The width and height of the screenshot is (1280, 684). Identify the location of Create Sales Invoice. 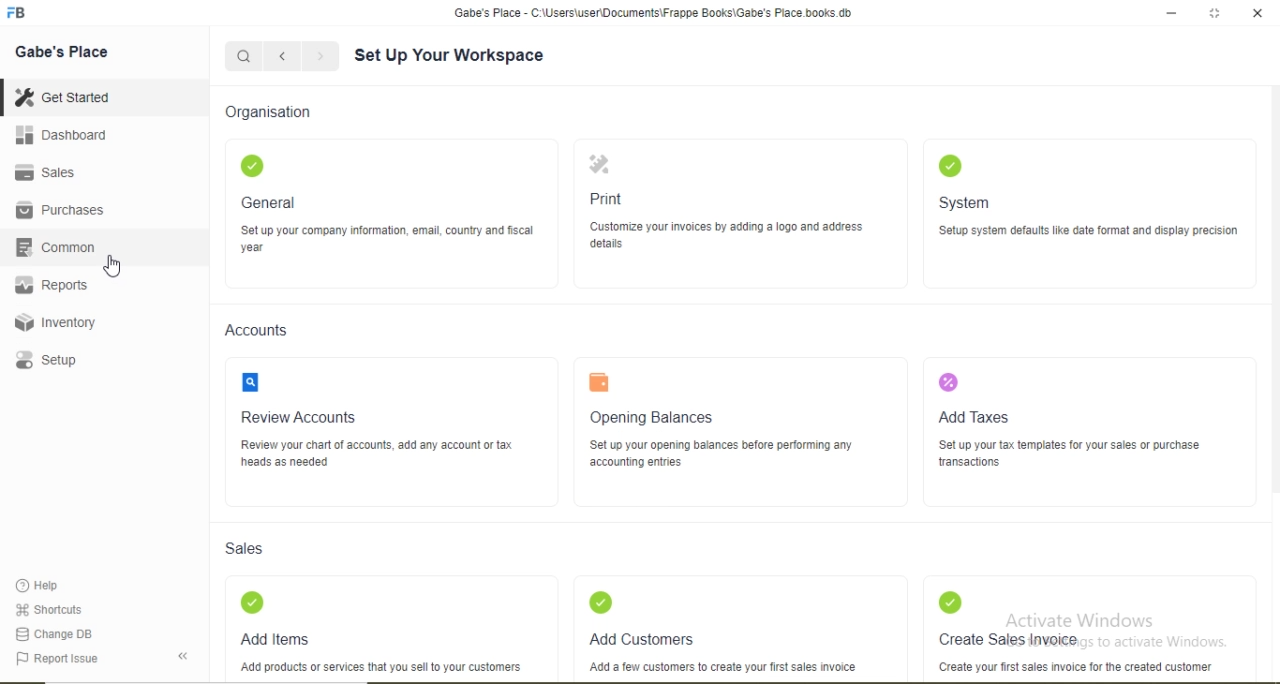
(1007, 637).